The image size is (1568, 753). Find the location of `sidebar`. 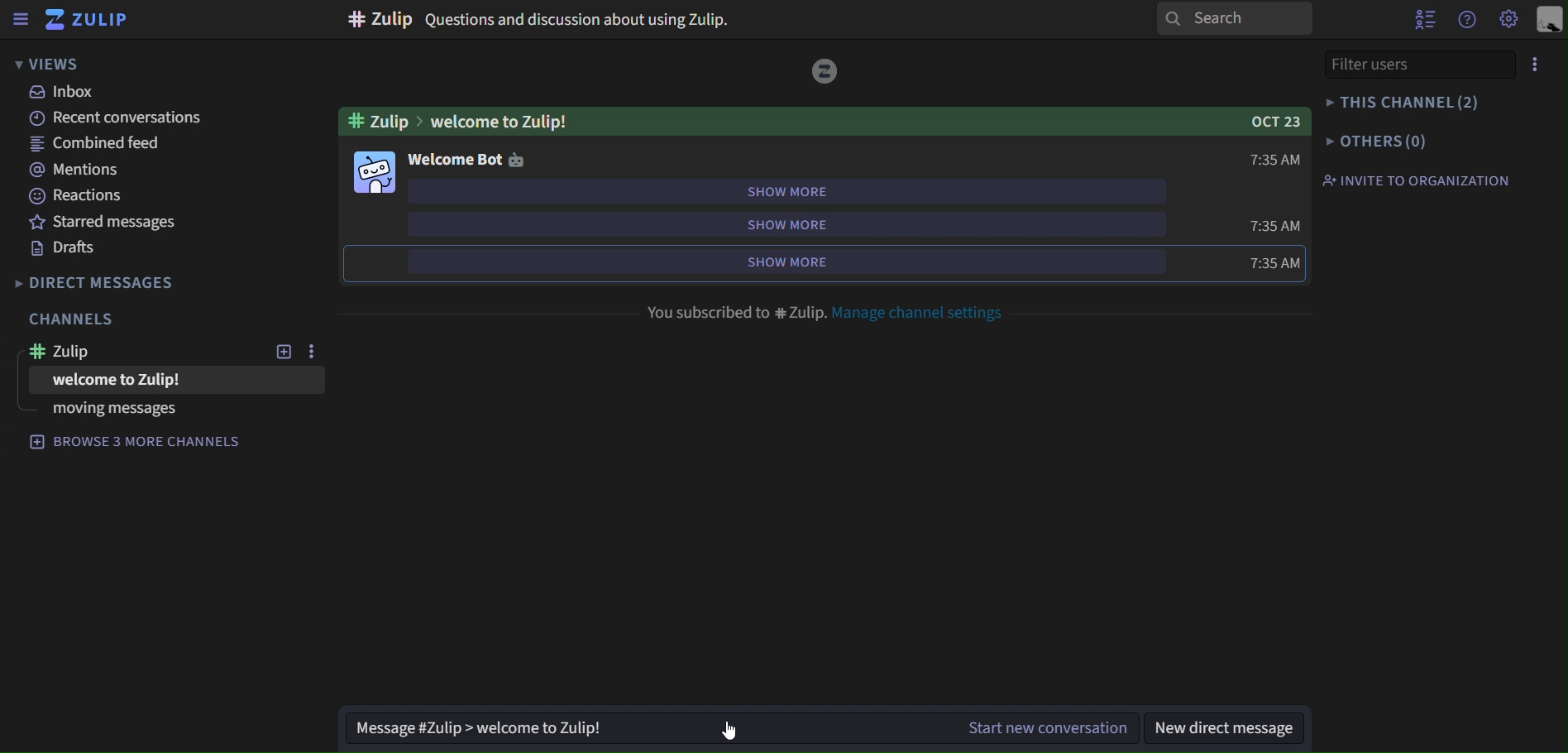

sidebar is located at coordinates (22, 21).